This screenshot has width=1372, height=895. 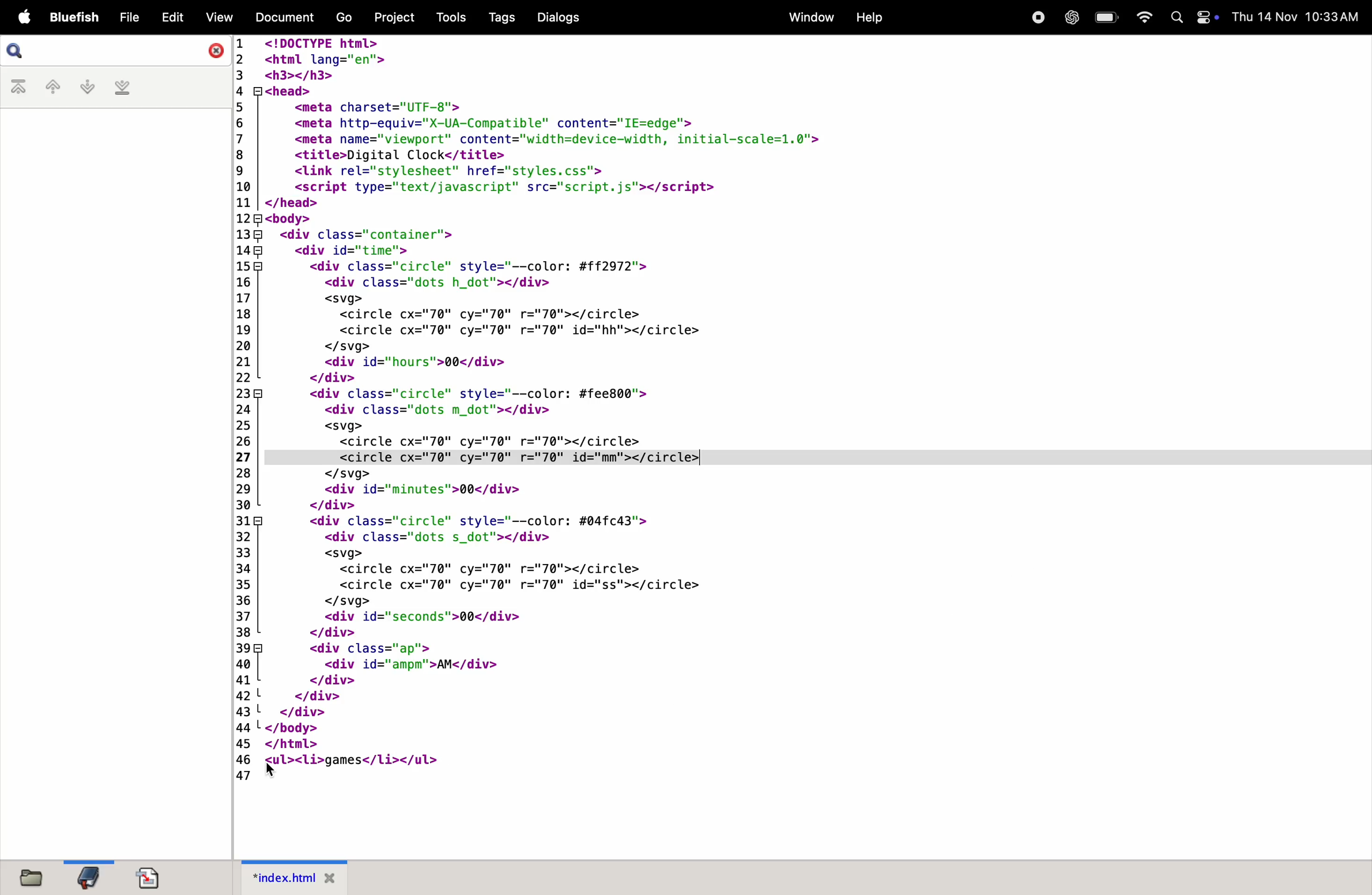 I want to click on close, so click(x=212, y=52).